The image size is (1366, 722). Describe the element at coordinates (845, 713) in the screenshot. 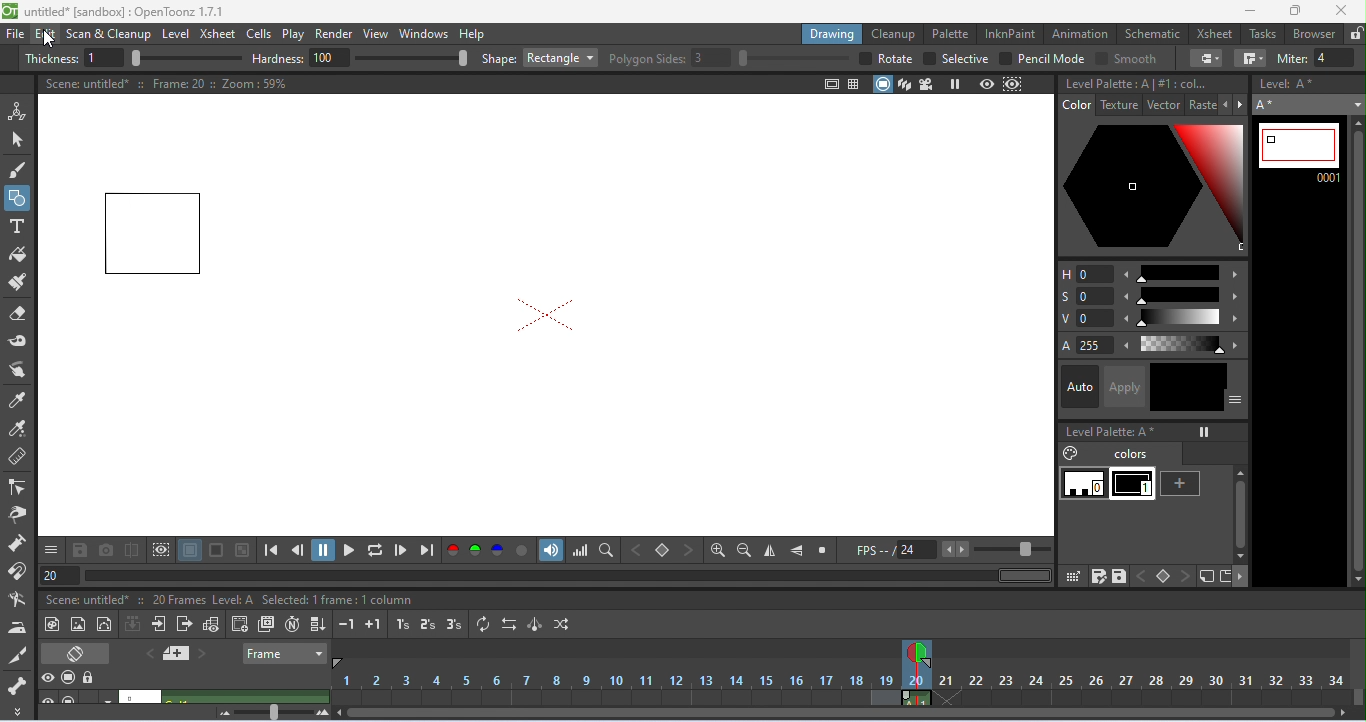

I see `horizontal scroll bar` at that location.